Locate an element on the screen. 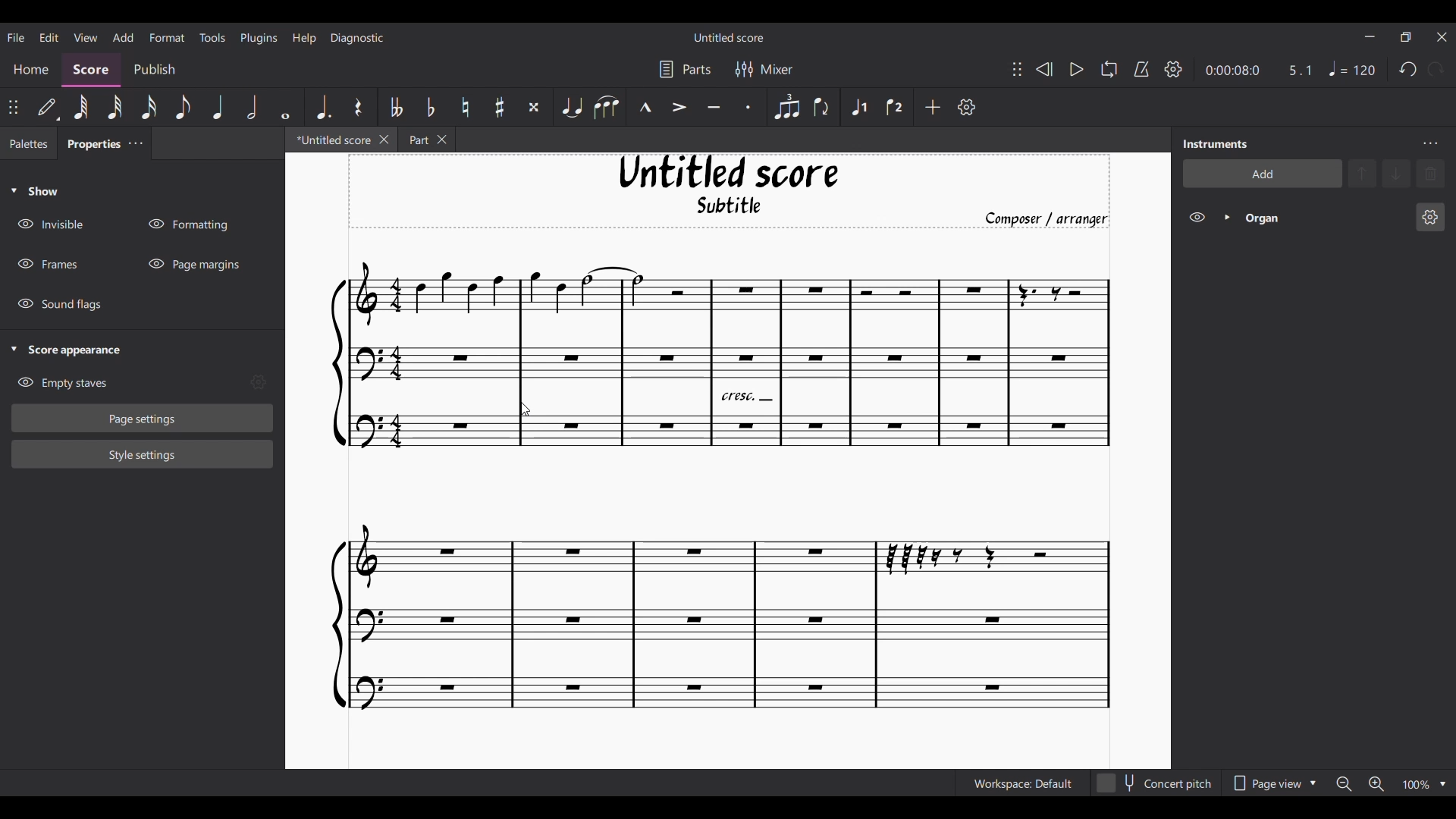  Organ settings is located at coordinates (1430, 217).